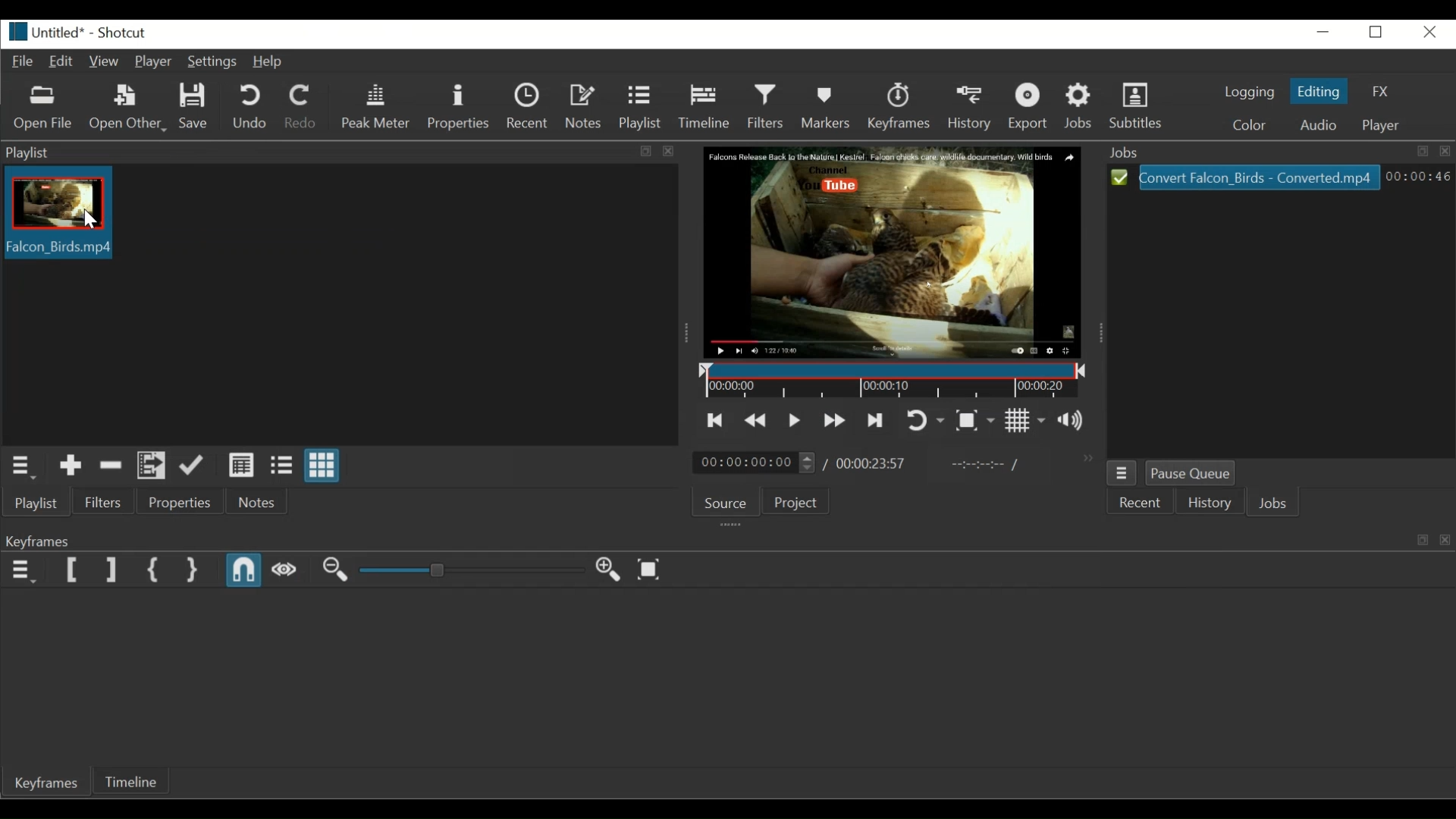 The image size is (1456, 819). What do you see at coordinates (470, 570) in the screenshot?
I see `Adjust Zoom keyframe` at bounding box center [470, 570].